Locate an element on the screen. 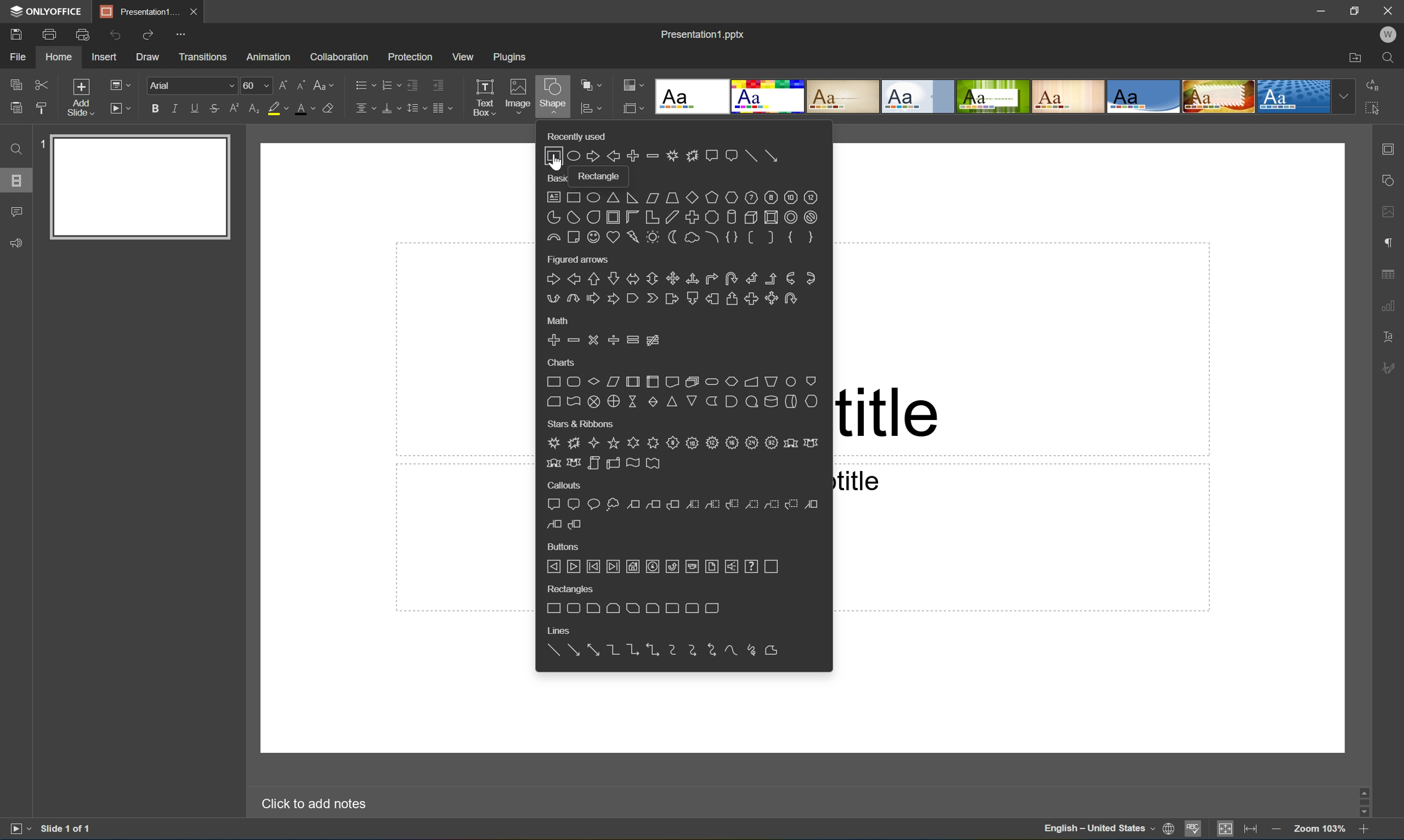  Restore down is located at coordinates (1352, 11).